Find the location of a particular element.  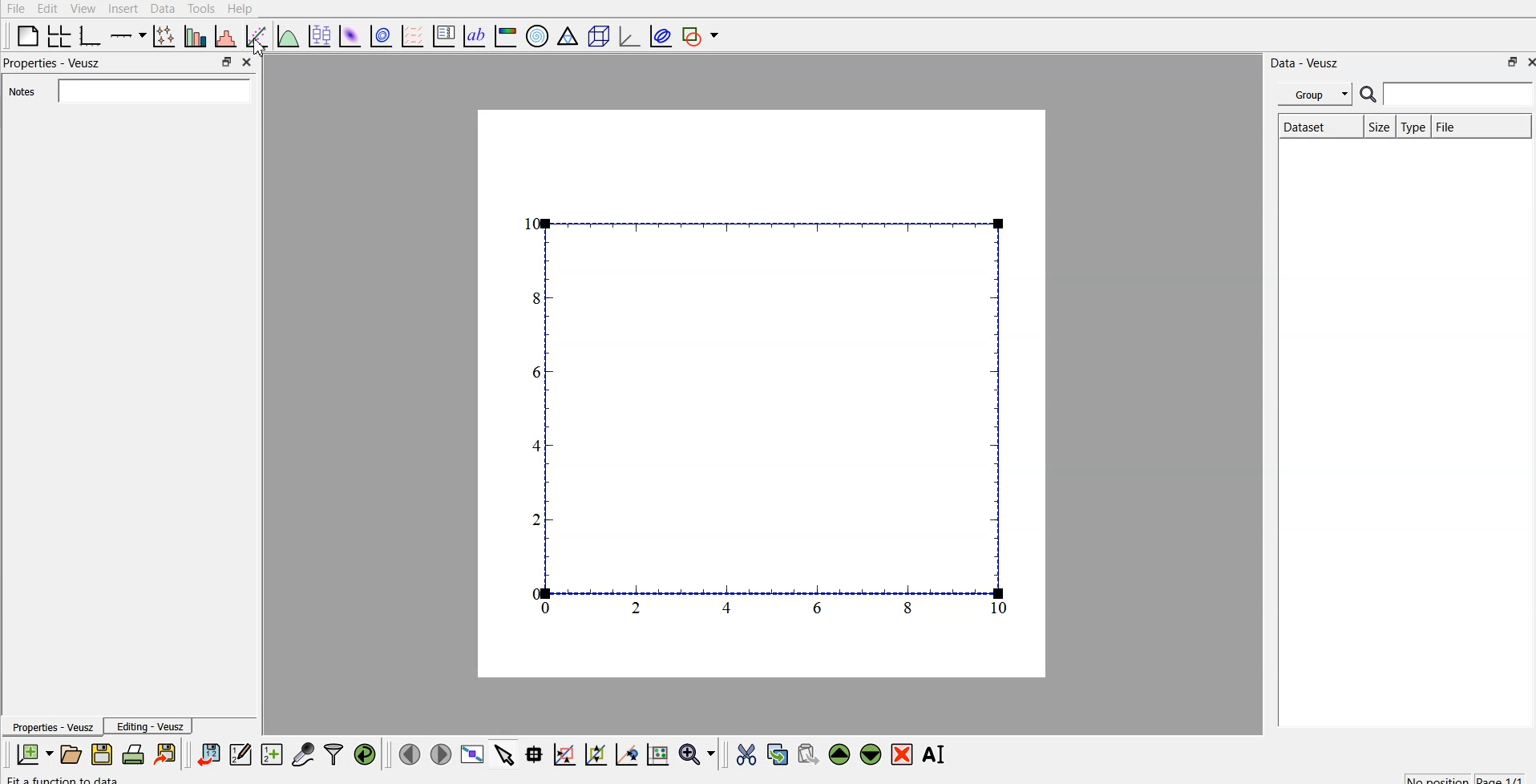

3d graph is located at coordinates (632, 37).